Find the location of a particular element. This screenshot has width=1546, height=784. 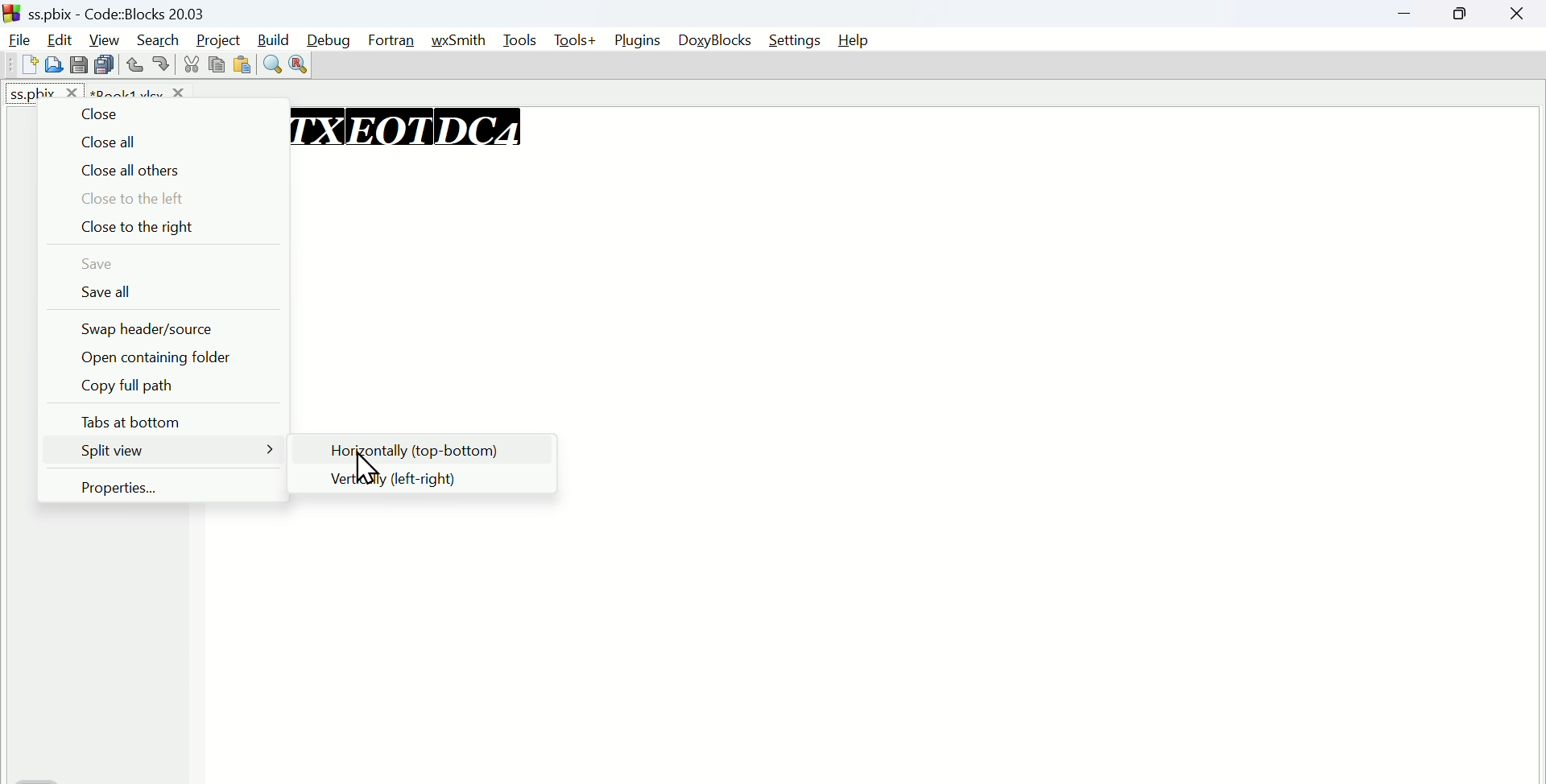

Split view is located at coordinates (164, 449).